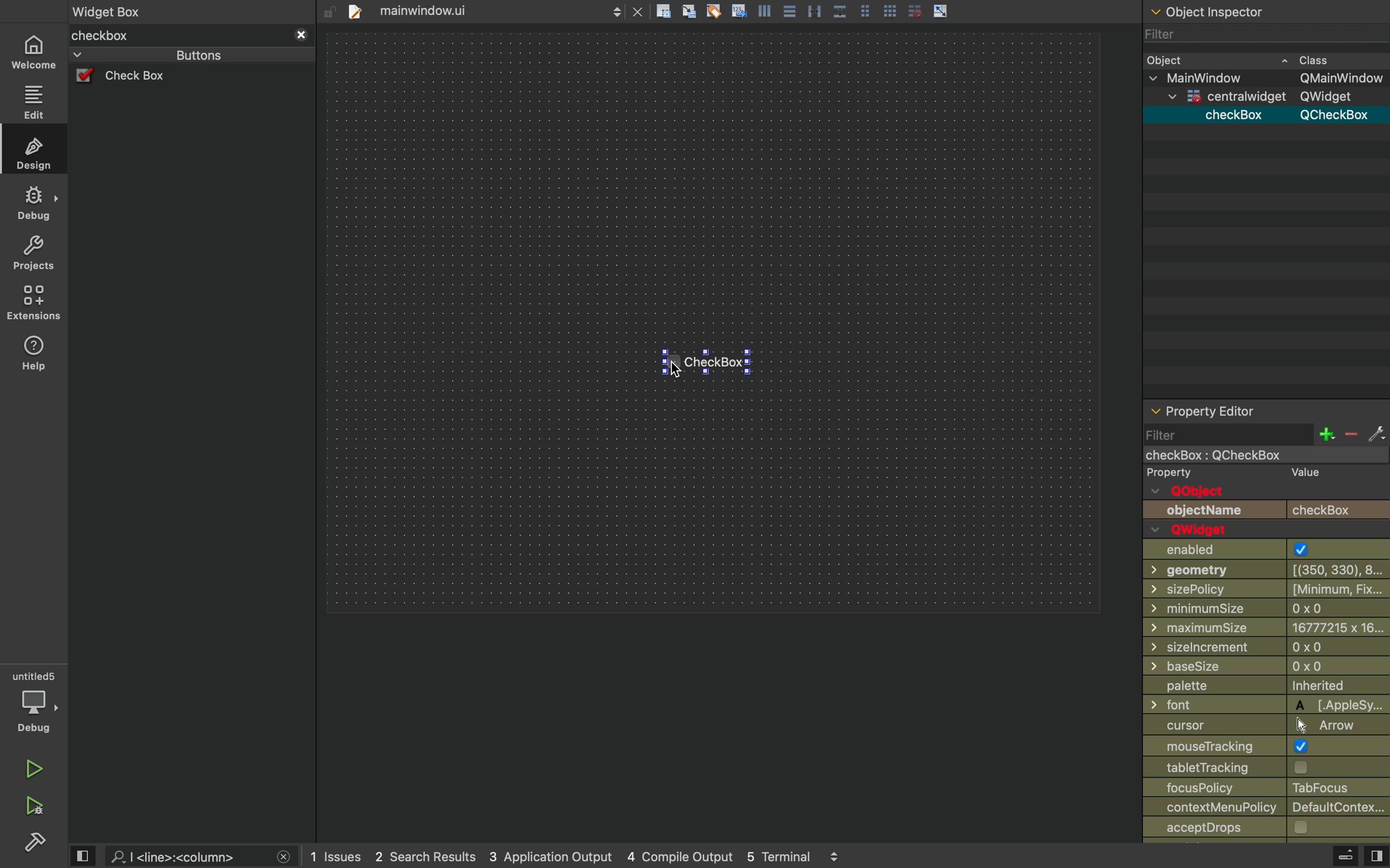 This screenshot has width=1390, height=868. I want to click on objectname, so click(1266, 510).